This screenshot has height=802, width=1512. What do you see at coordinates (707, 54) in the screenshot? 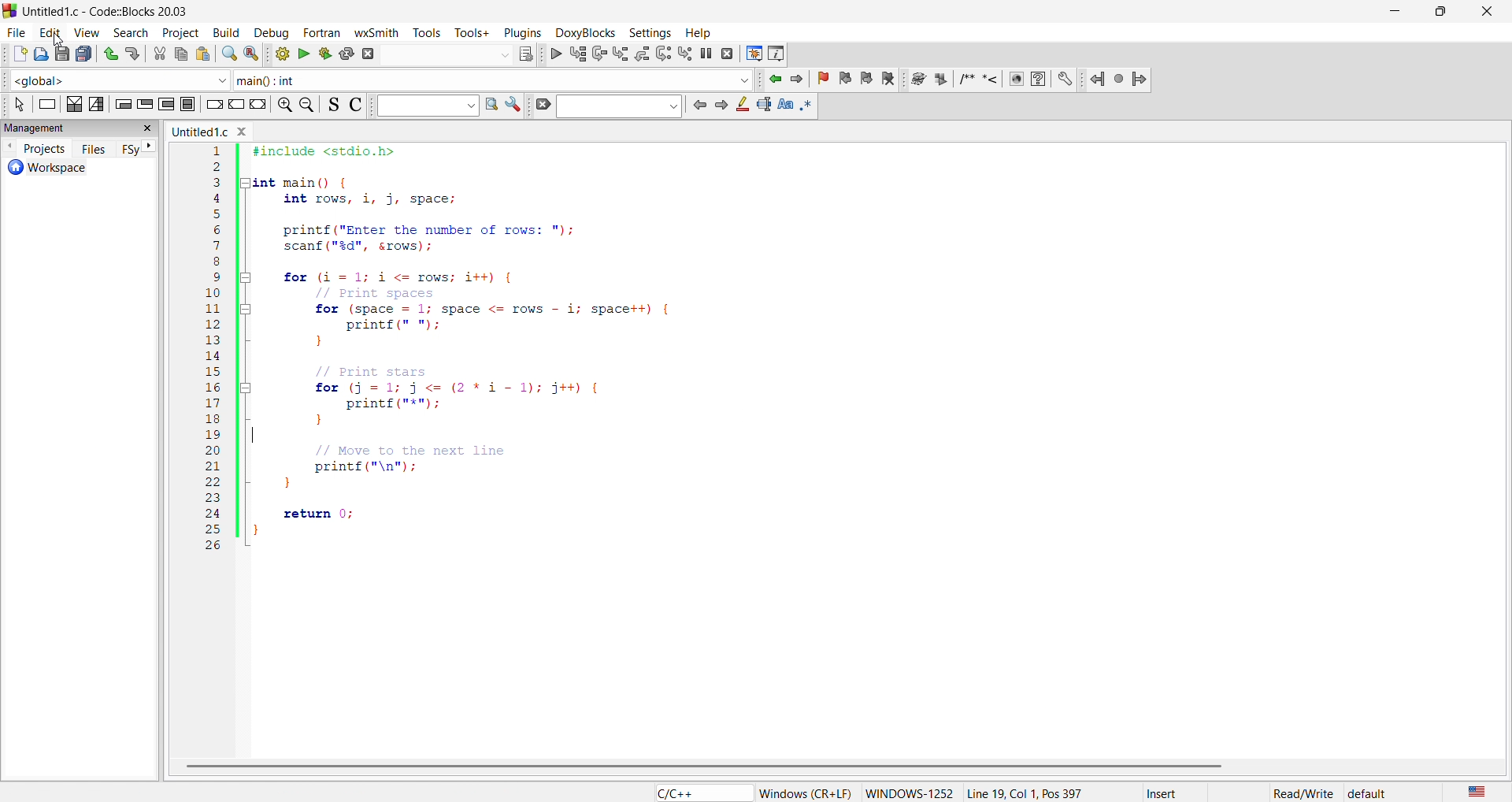
I see `break debugging` at bounding box center [707, 54].